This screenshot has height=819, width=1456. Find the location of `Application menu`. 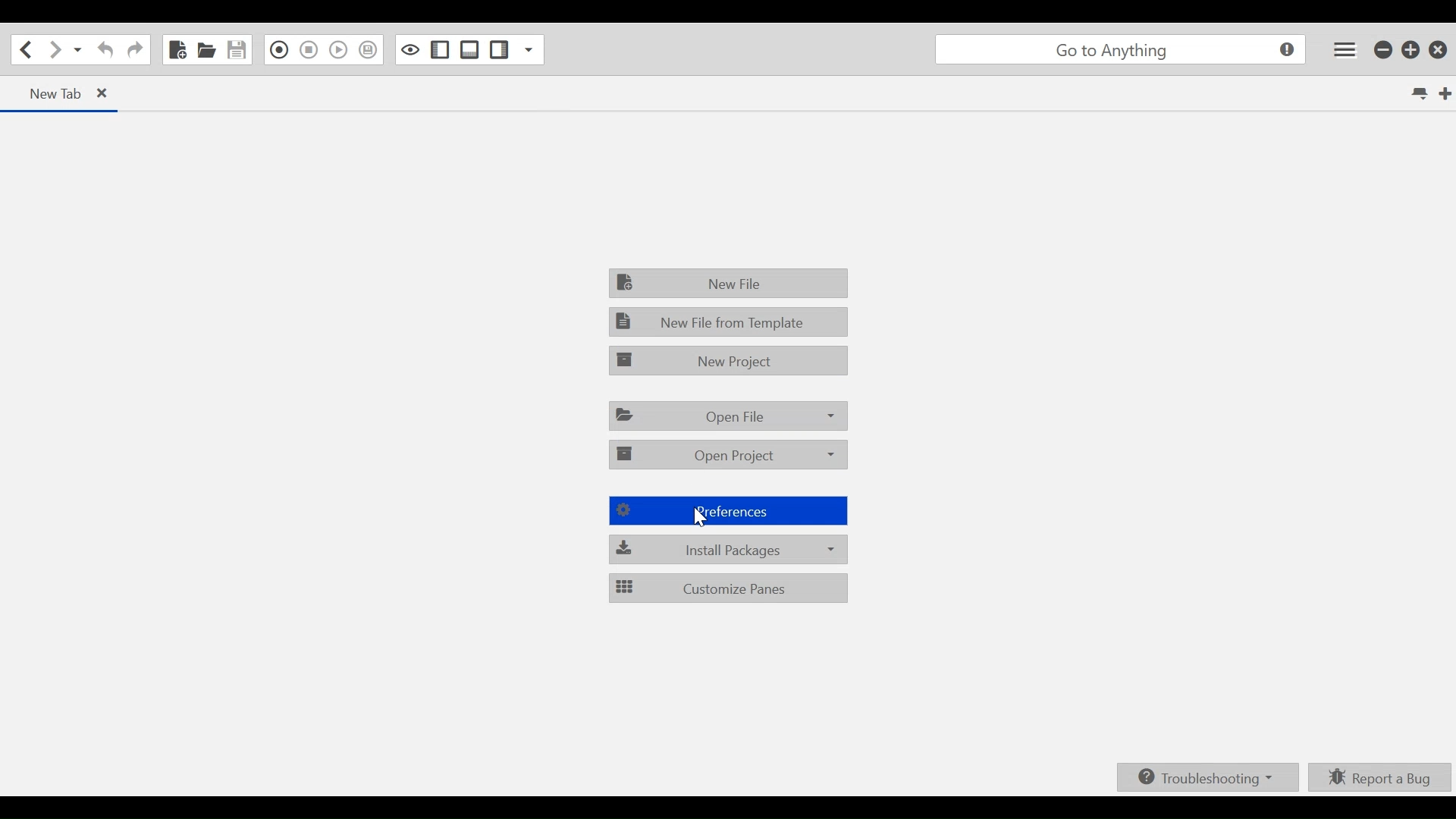

Application menu is located at coordinates (1341, 50).